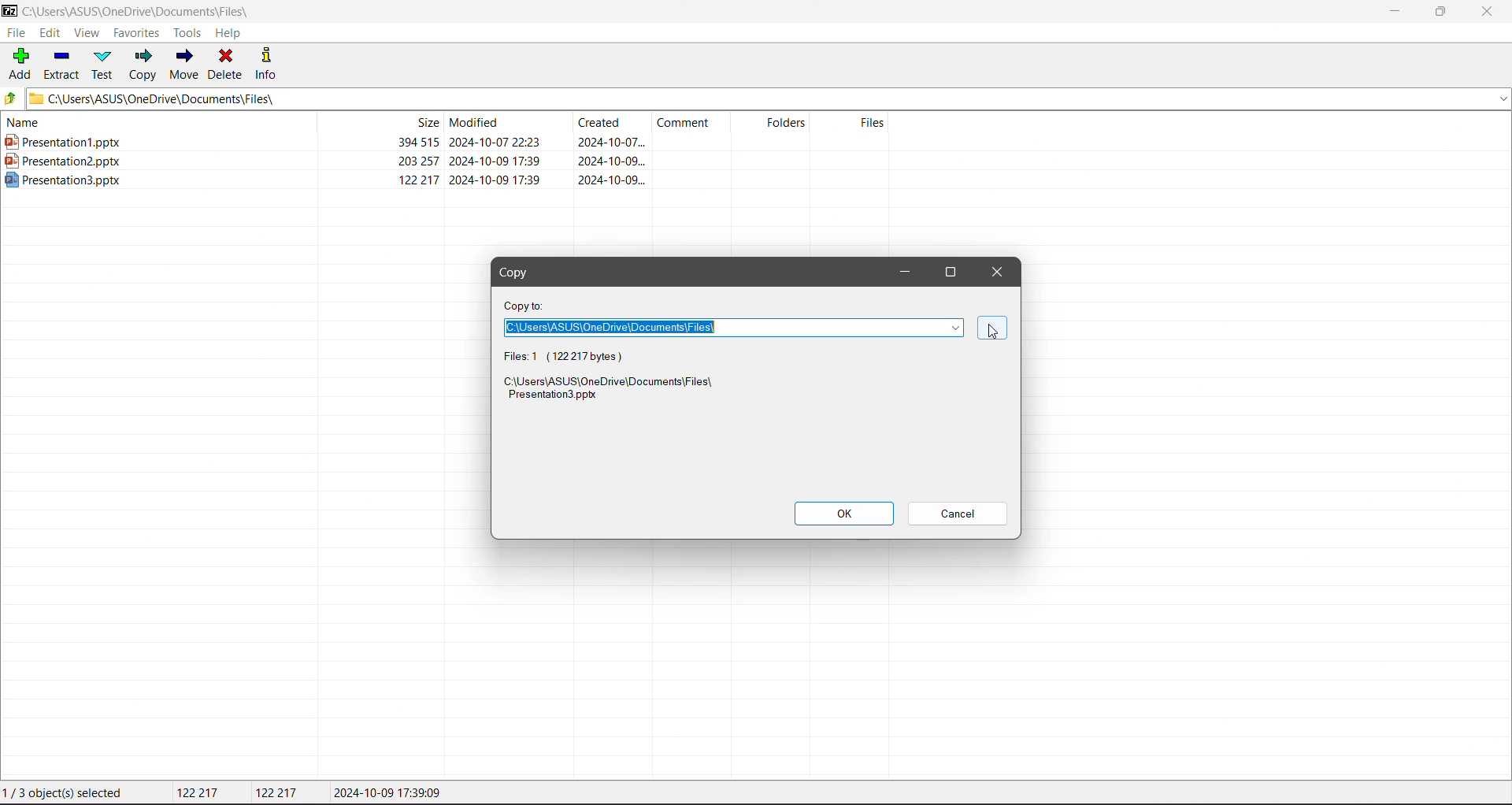 The height and width of the screenshot is (805, 1512). I want to click on Extract, so click(62, 65).